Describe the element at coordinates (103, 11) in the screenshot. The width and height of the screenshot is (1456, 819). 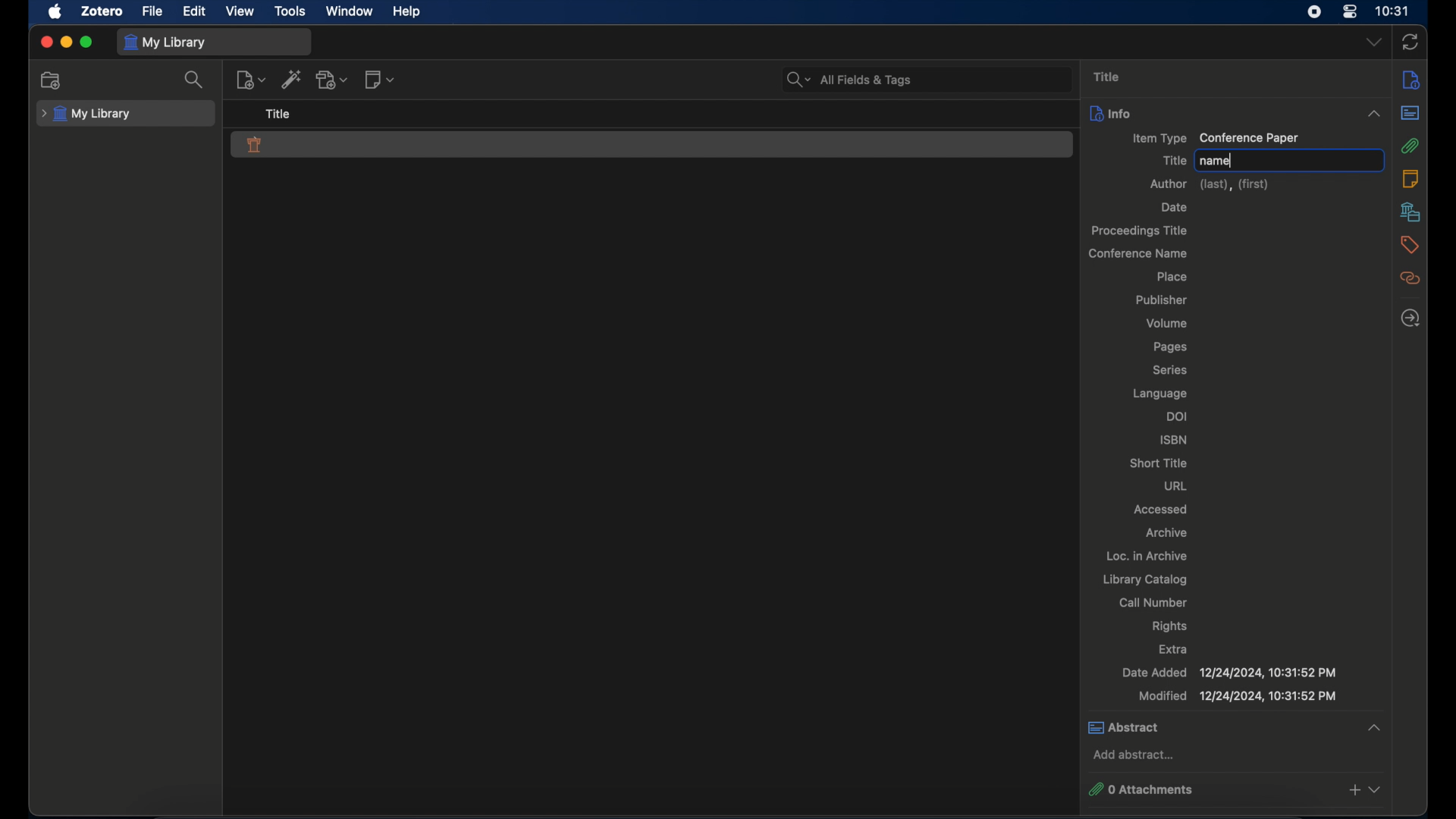
I see `zotero` at that location.